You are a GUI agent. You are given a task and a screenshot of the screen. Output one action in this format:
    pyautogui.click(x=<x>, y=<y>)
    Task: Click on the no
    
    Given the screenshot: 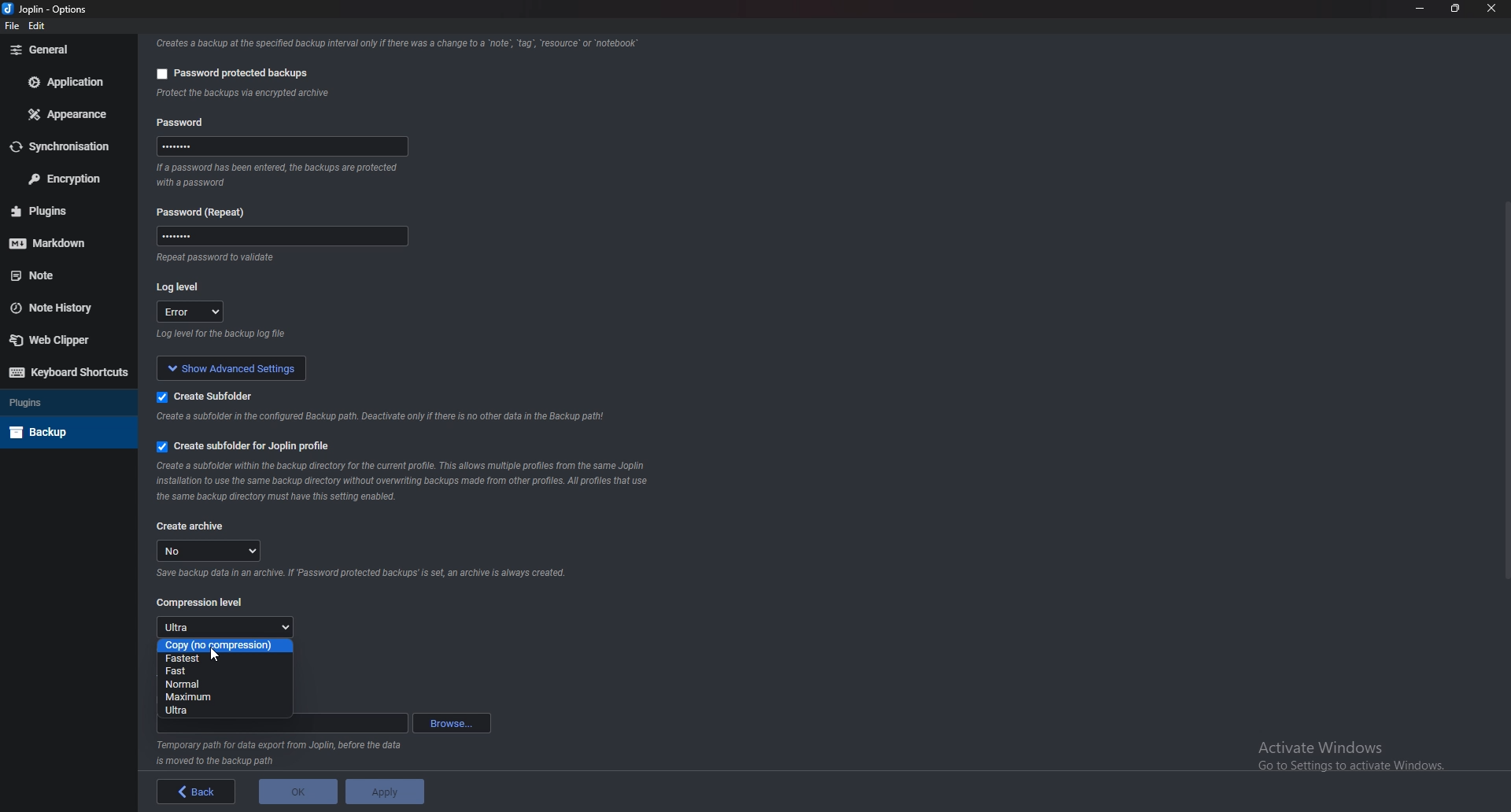 What is the action you would take?
    pyautogui.click(x=212, y=551)
    